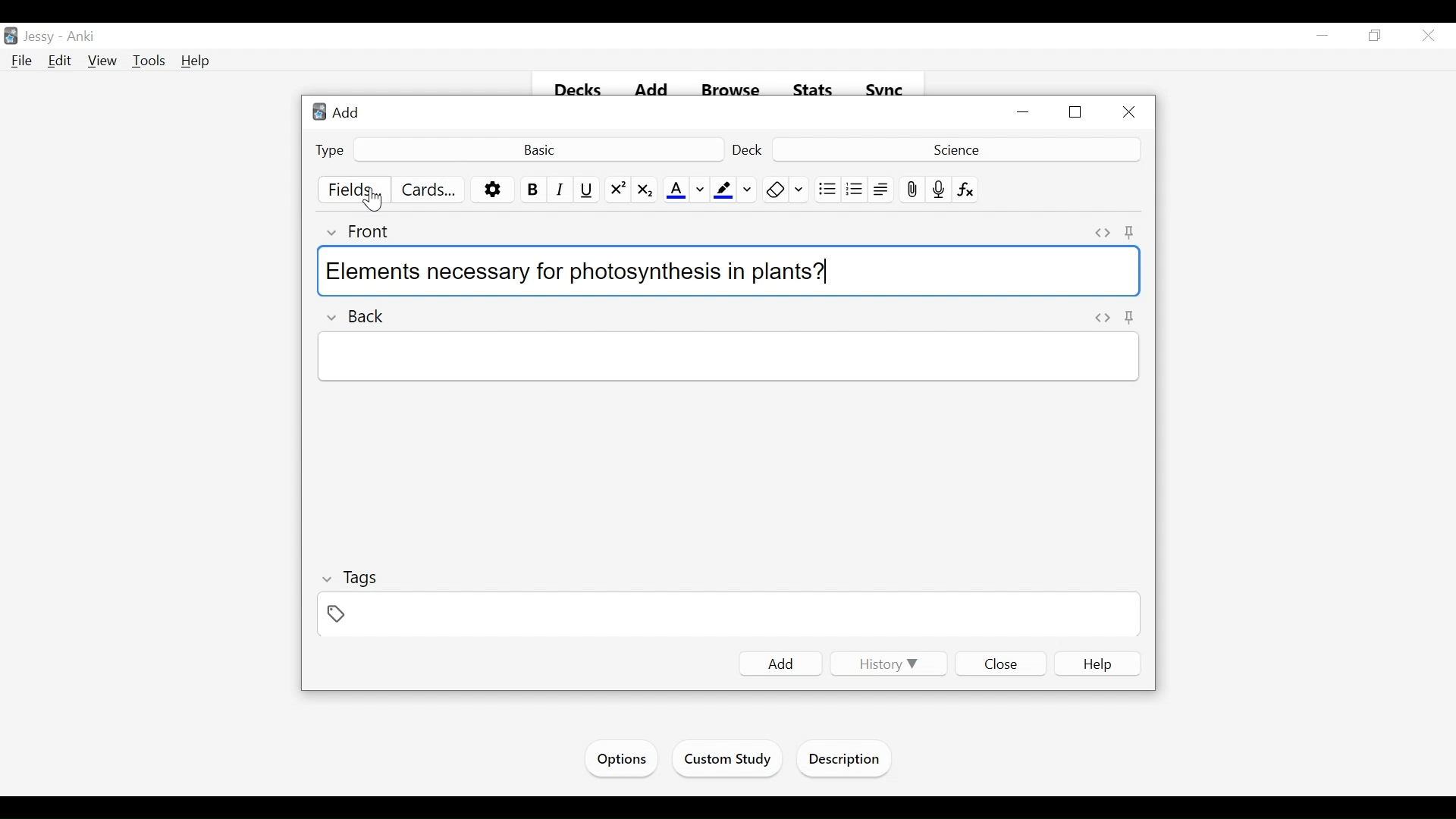 The image size is (1456, 819). What do you see at coordinates (429, 190) in the screenshot?
I see `Customize Cards Template` at bounding box center [429, 190].